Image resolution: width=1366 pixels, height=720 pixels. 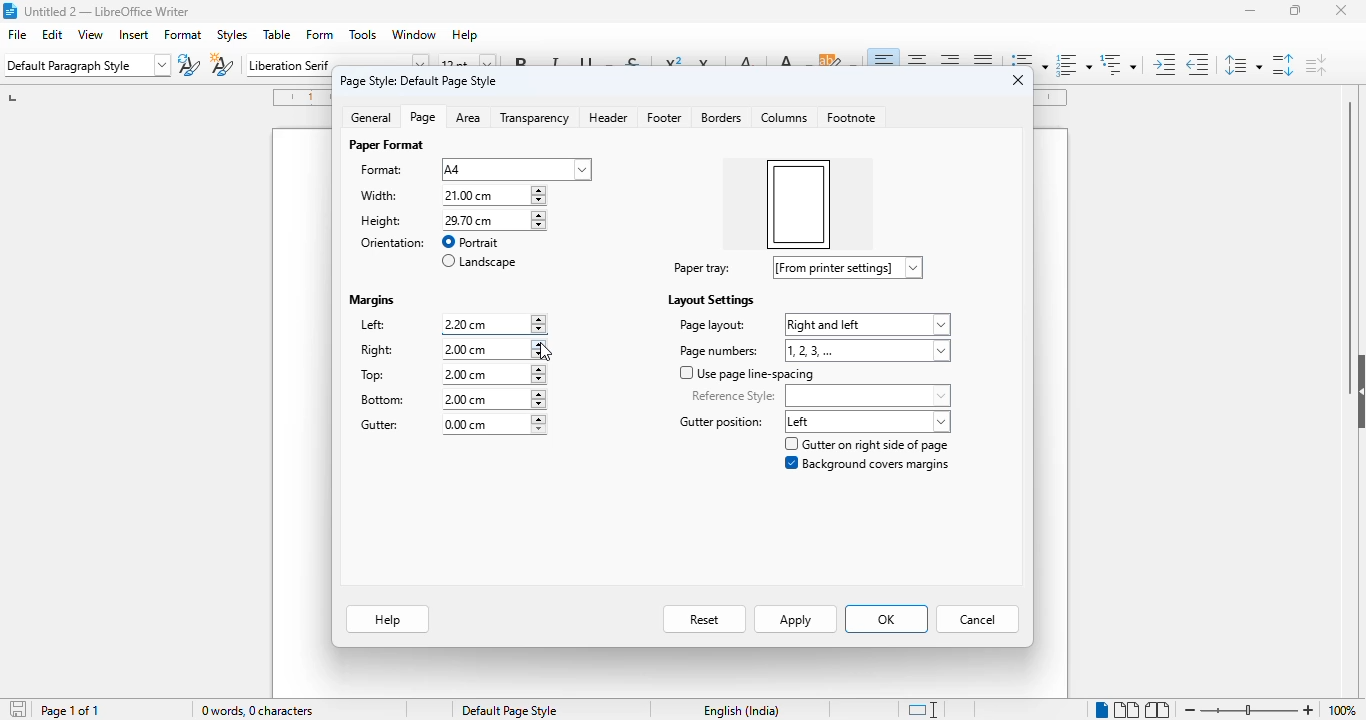 I want to click on close, so click(x=1340, y=10).